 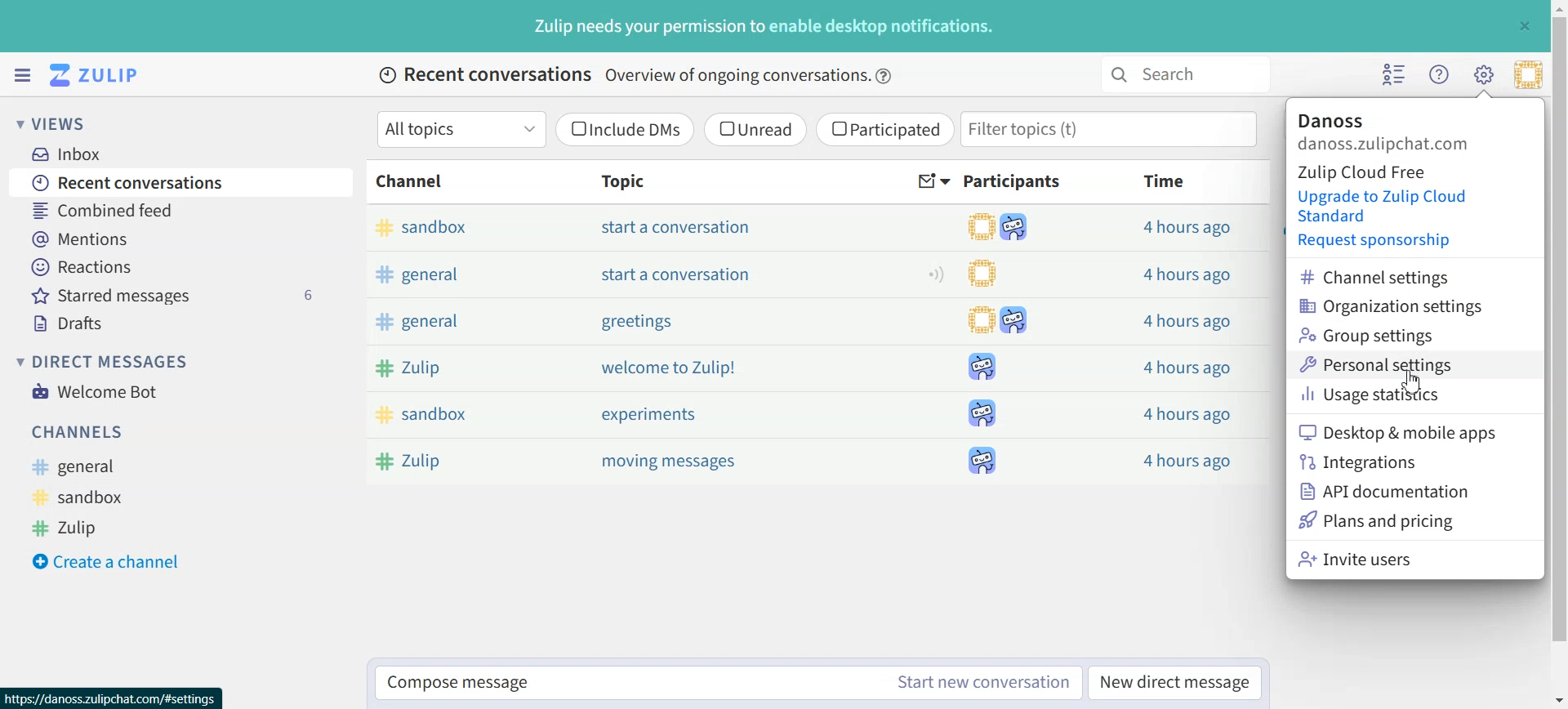 I want to click on experiments, so click(x=648, y=414).